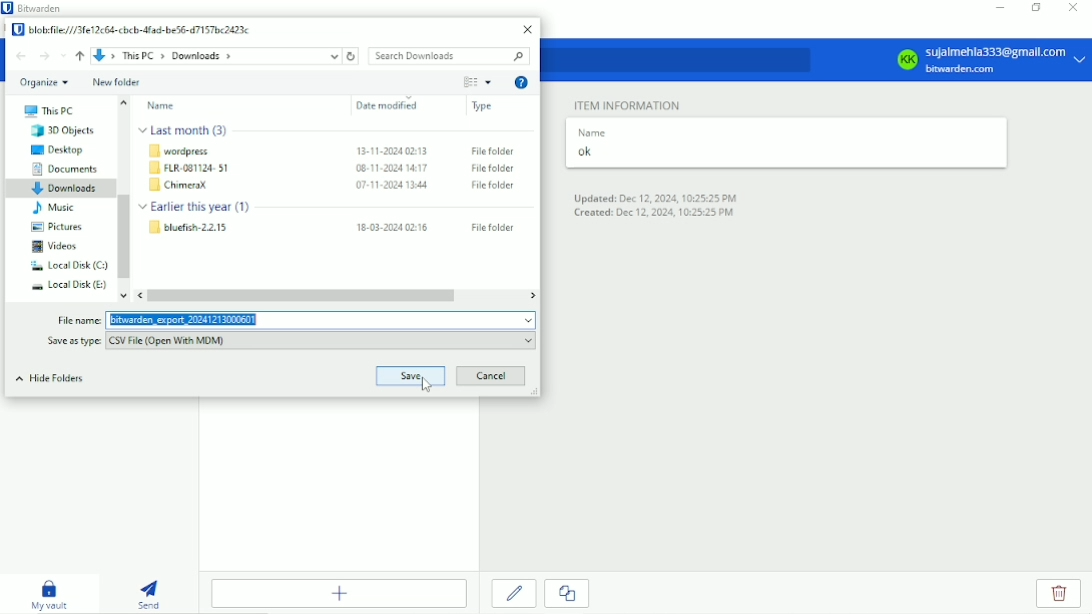 The image size is (1092, 614). Describe the element at coordinates (201, 207) in the screenshot. I see `Earlier this year` at that location.